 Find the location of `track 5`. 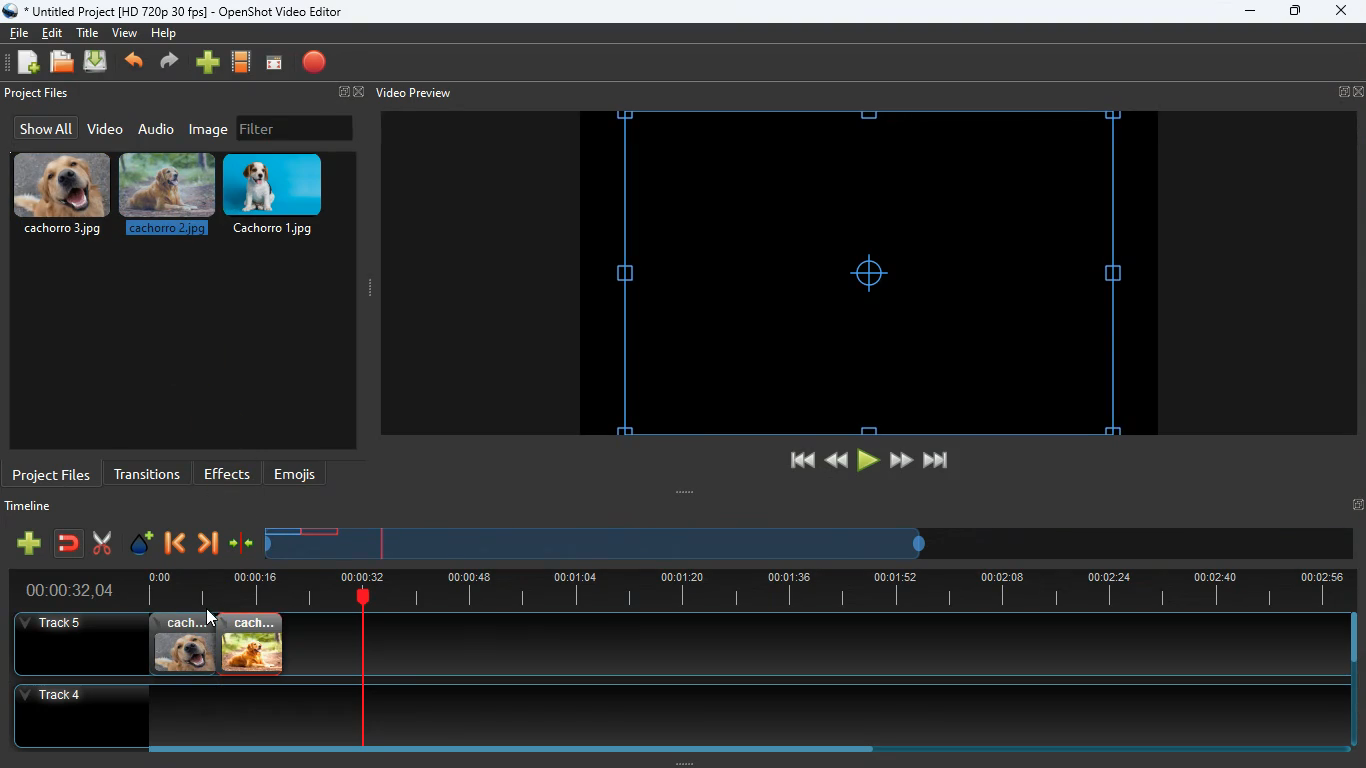

track 5 is located at coordinates (56, 624).